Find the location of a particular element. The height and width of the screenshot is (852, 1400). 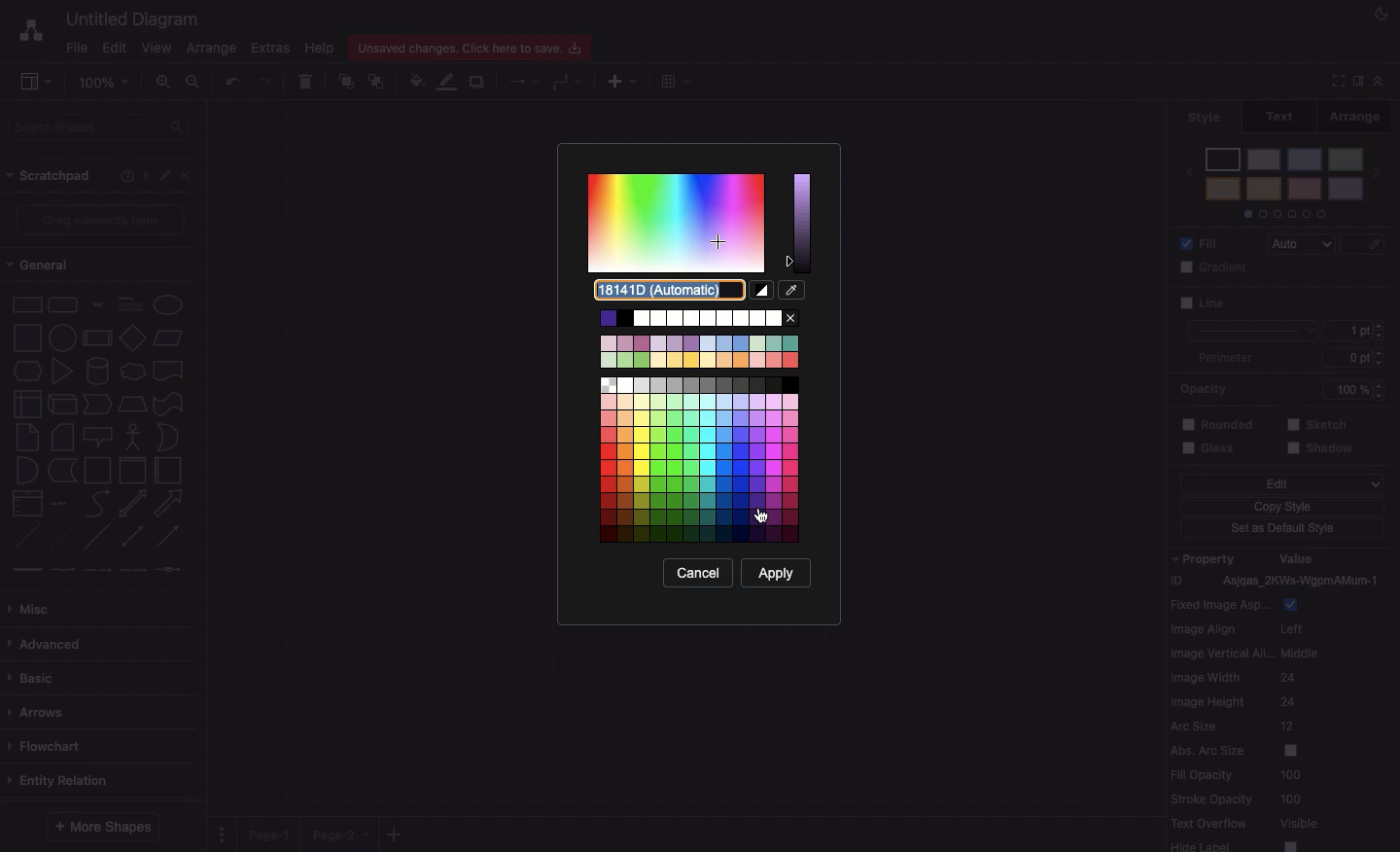

circle is located at coordinates (61, 337).